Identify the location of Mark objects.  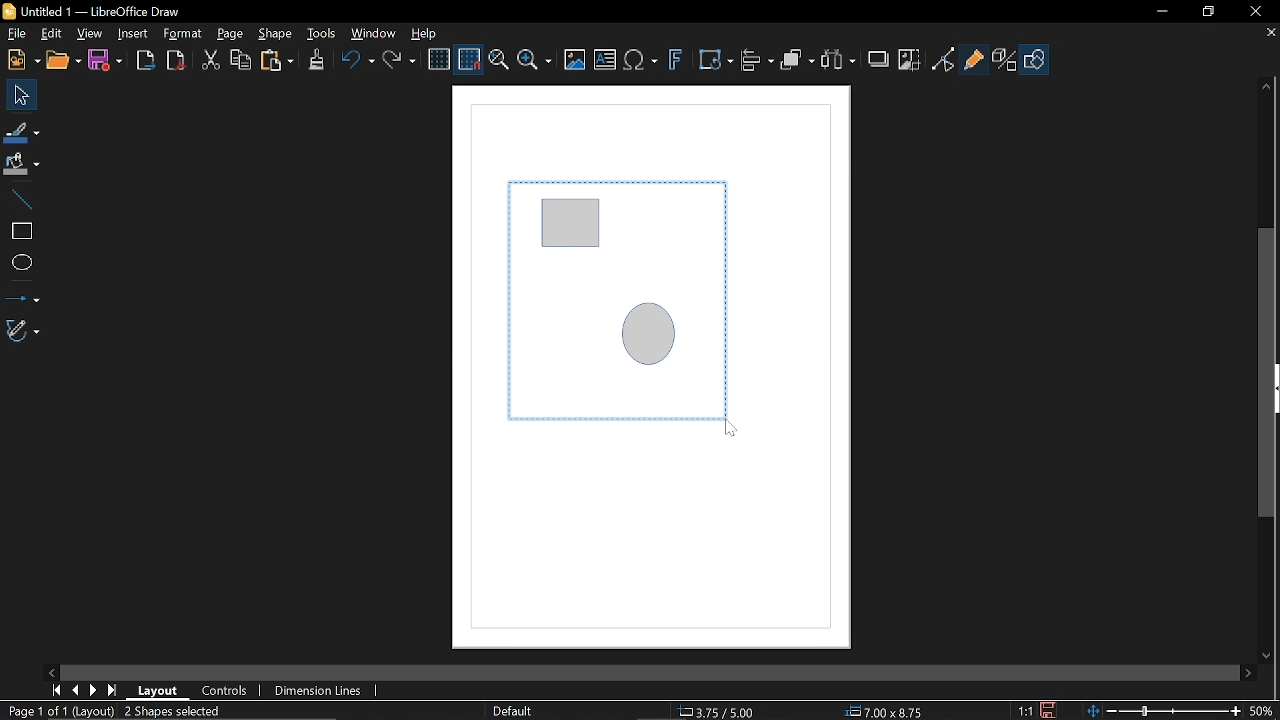
(164, 712).